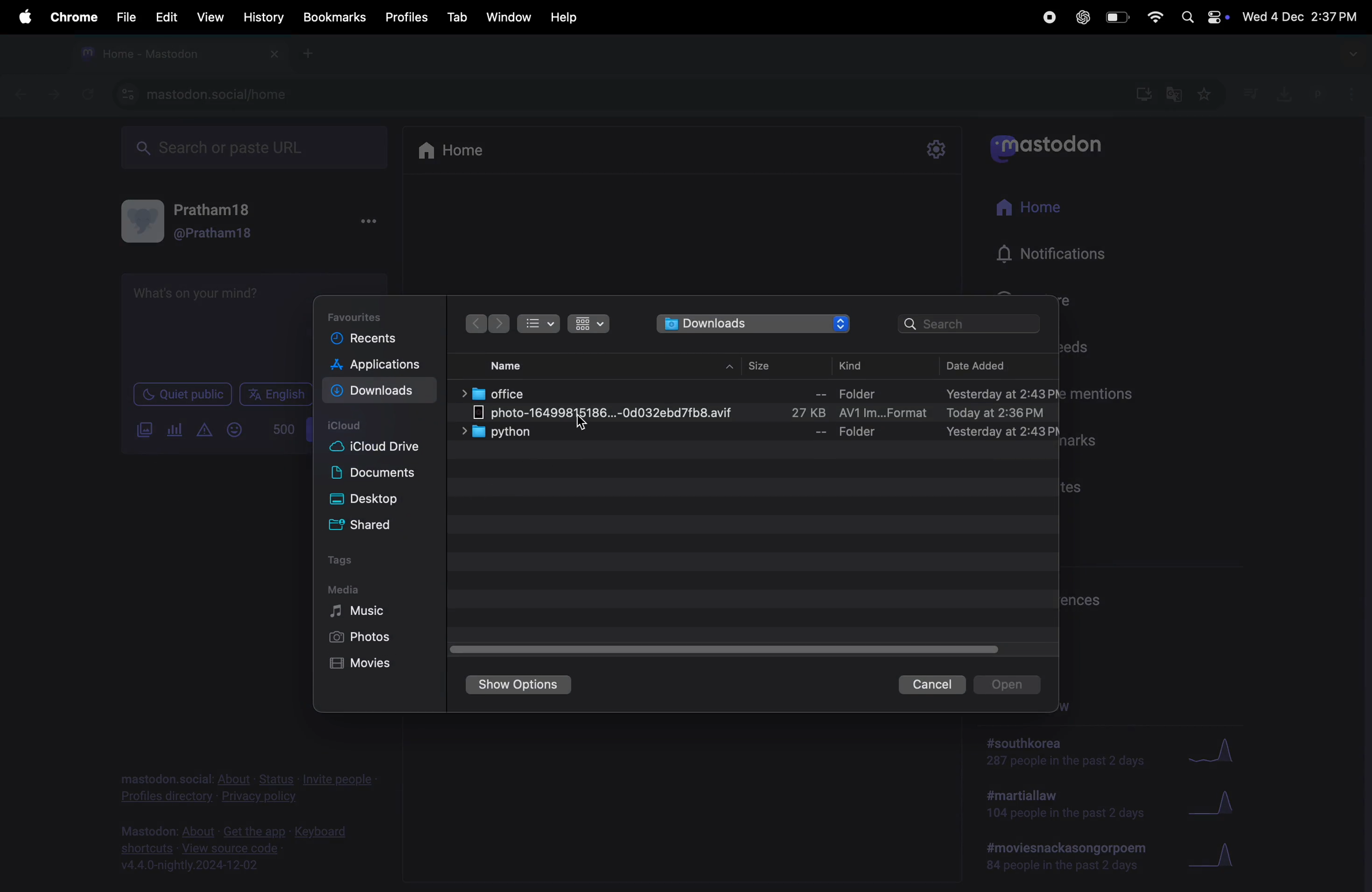 The height and width of the screenshot is (892, 1372). I want to click on movies, so click(372, 663).